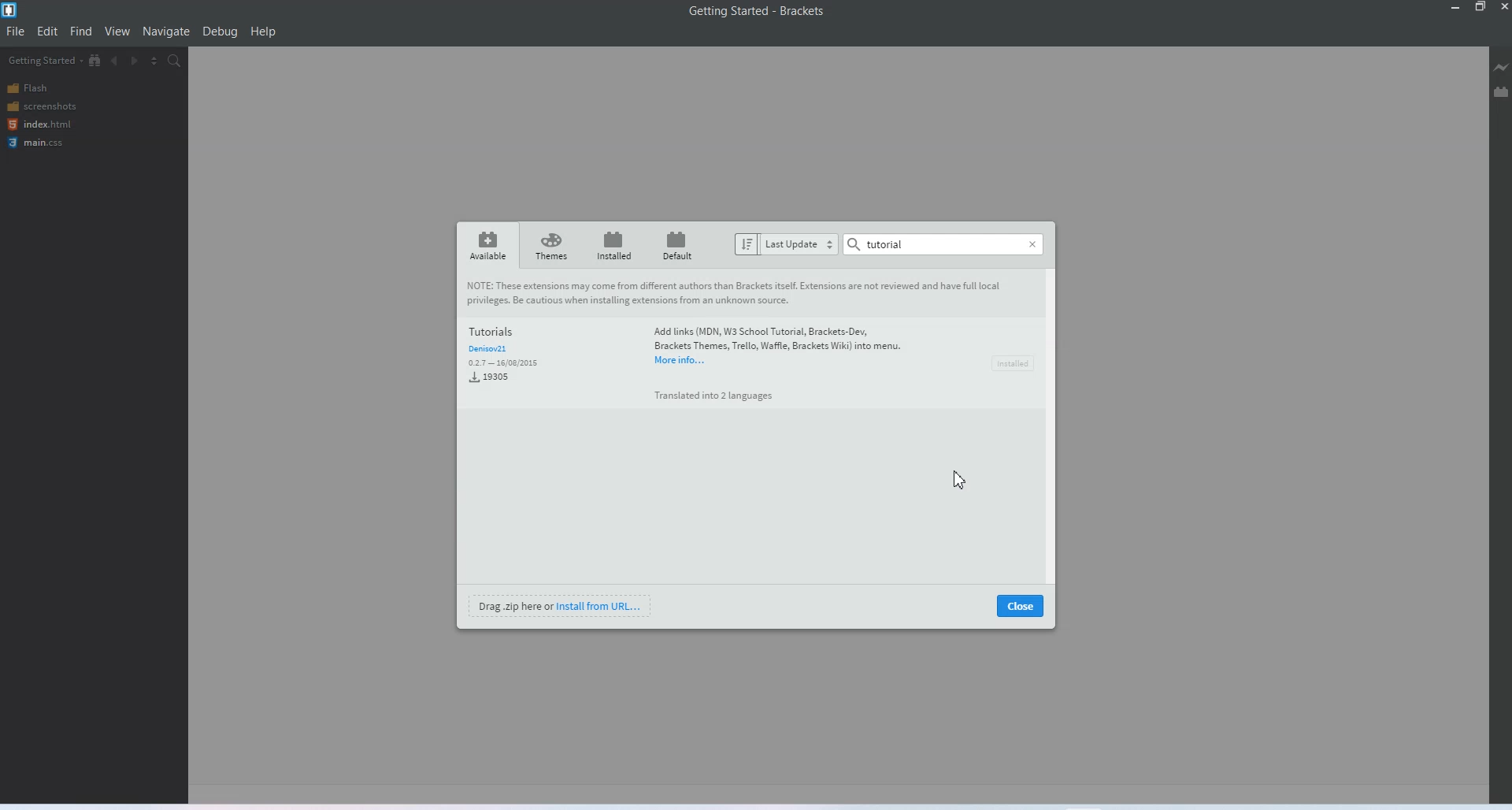 The image size is (1512, 810). What do you see at coordinates (220, 32) in the screenshot?
I see `Debug` at bounding box center [220, 32].